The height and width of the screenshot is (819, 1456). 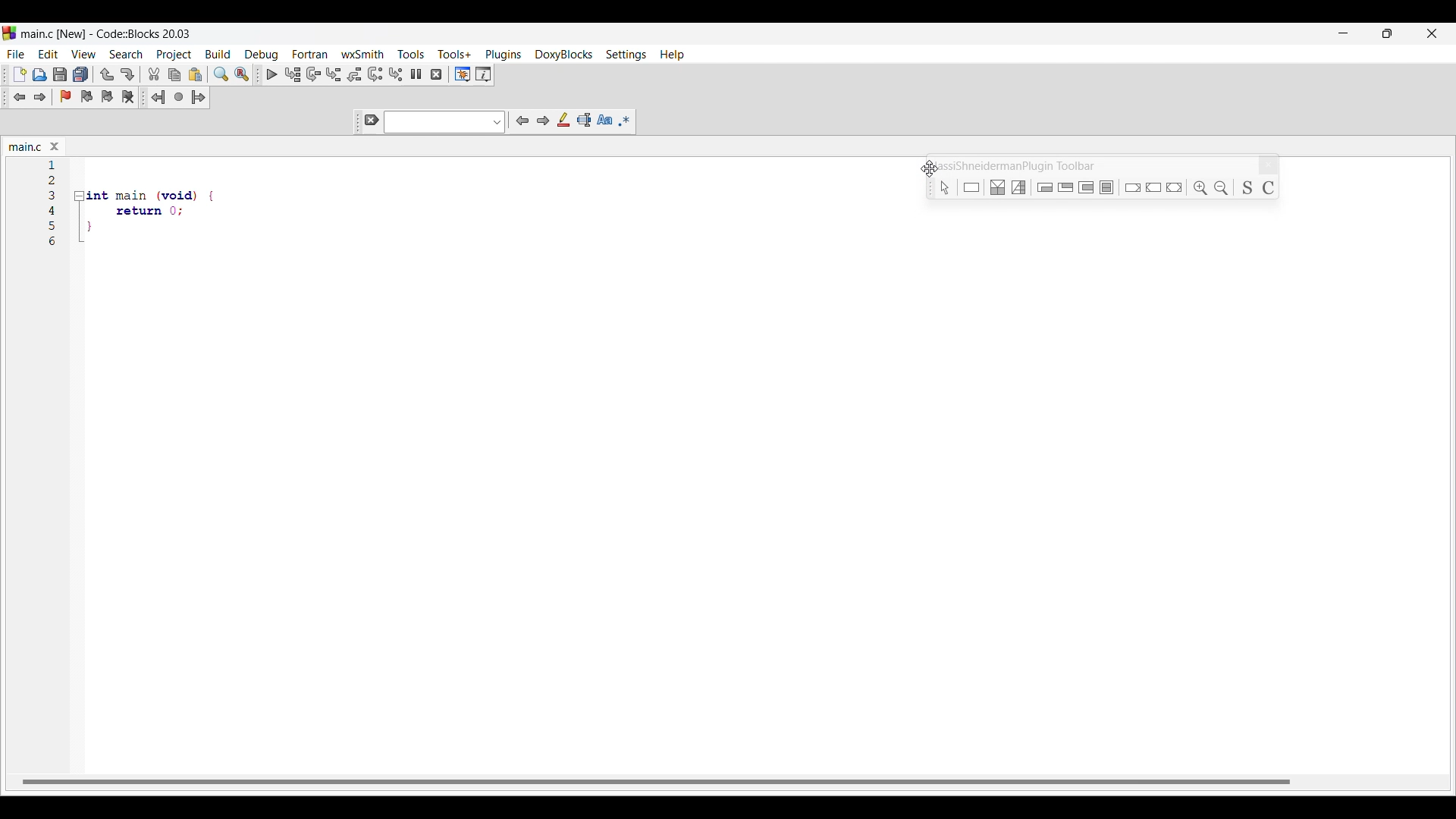 What do you see at coordinates (436, 74) in the screenshot?
I see `Stop debugger` at bounding box center [436, 74].